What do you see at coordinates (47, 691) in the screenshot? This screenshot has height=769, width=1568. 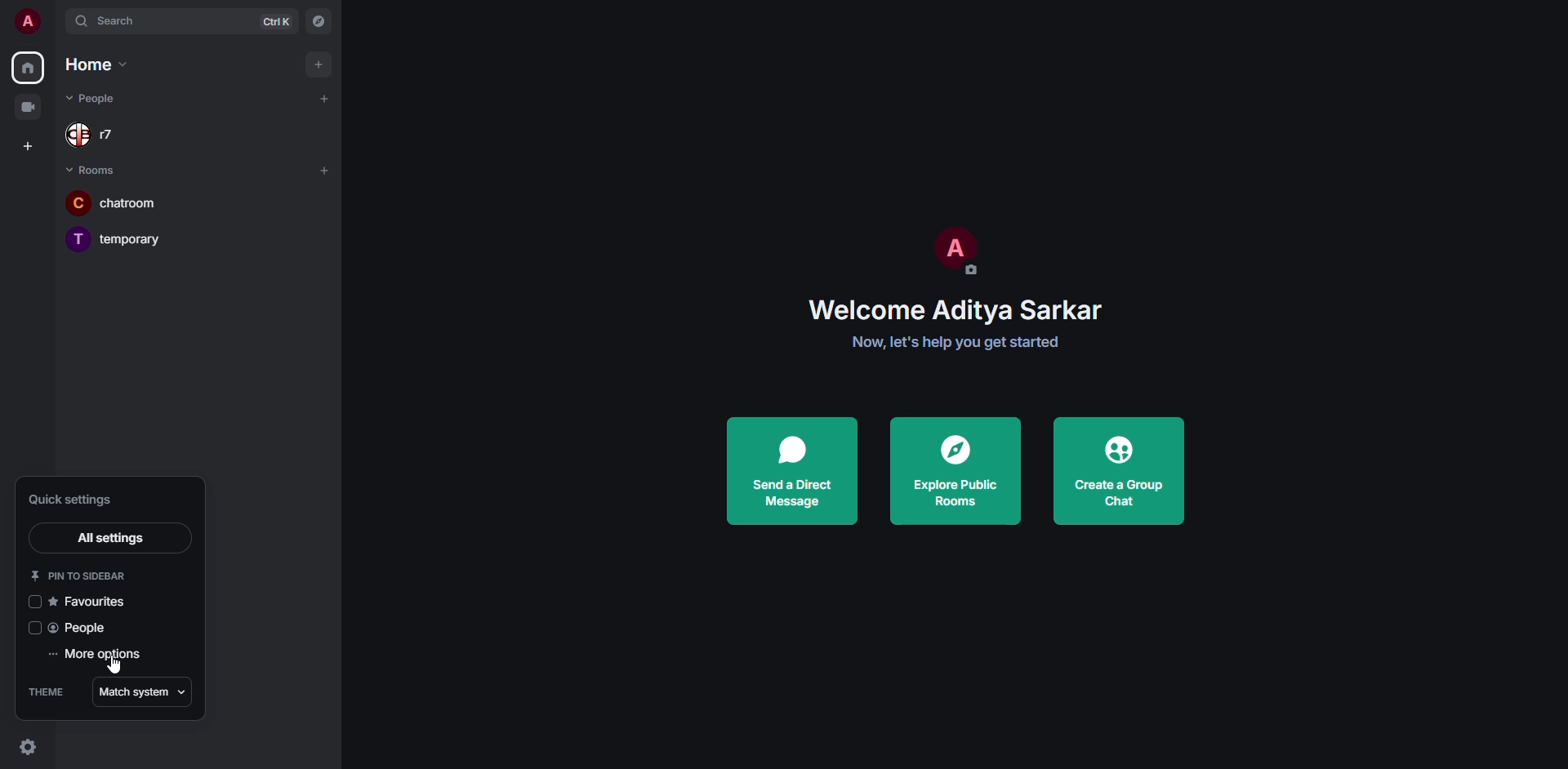 I see `theme` at bounding box center [47, 691].